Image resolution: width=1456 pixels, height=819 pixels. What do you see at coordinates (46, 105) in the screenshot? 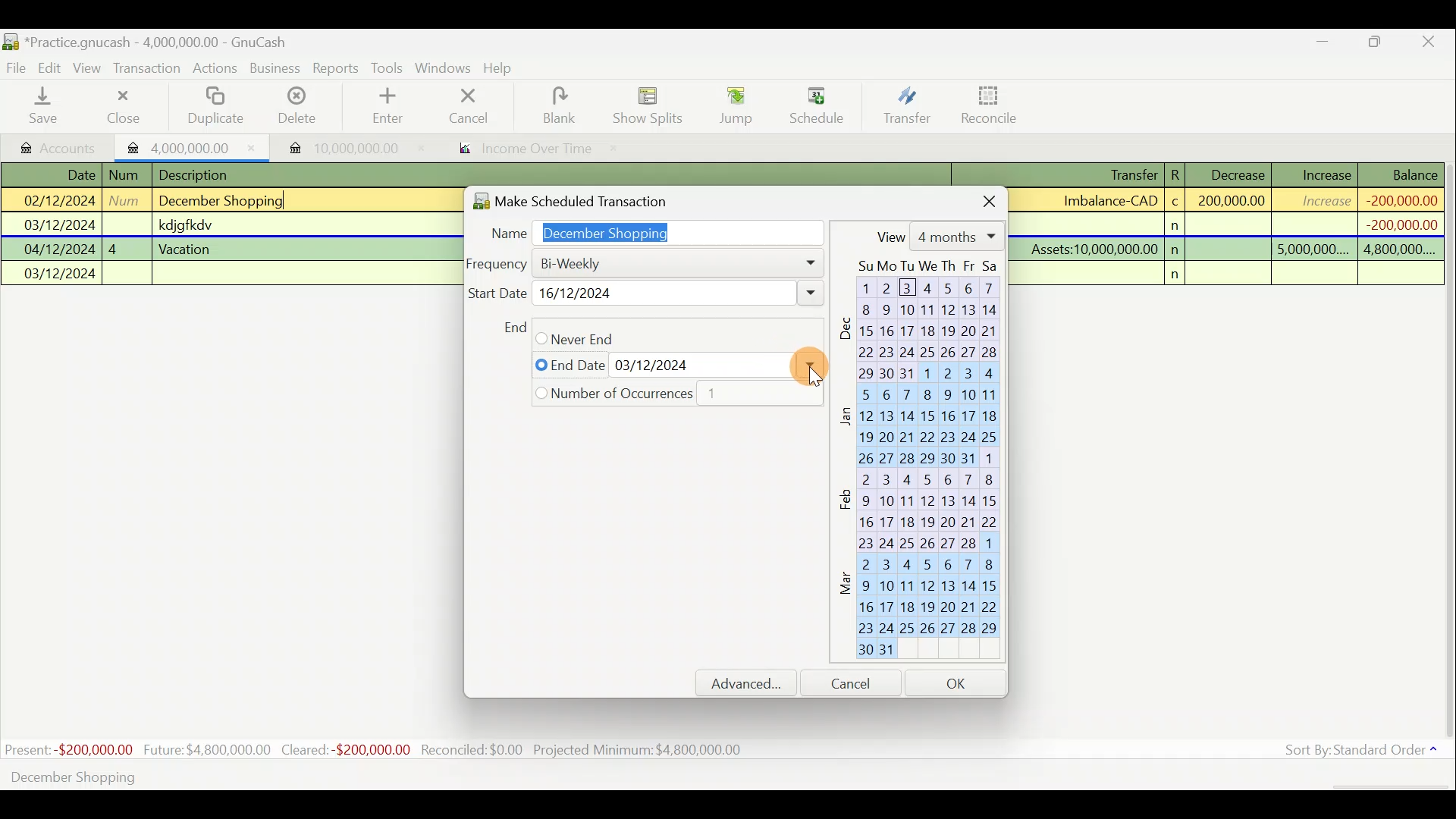
I see `Save` at bounding box center [46, 105].